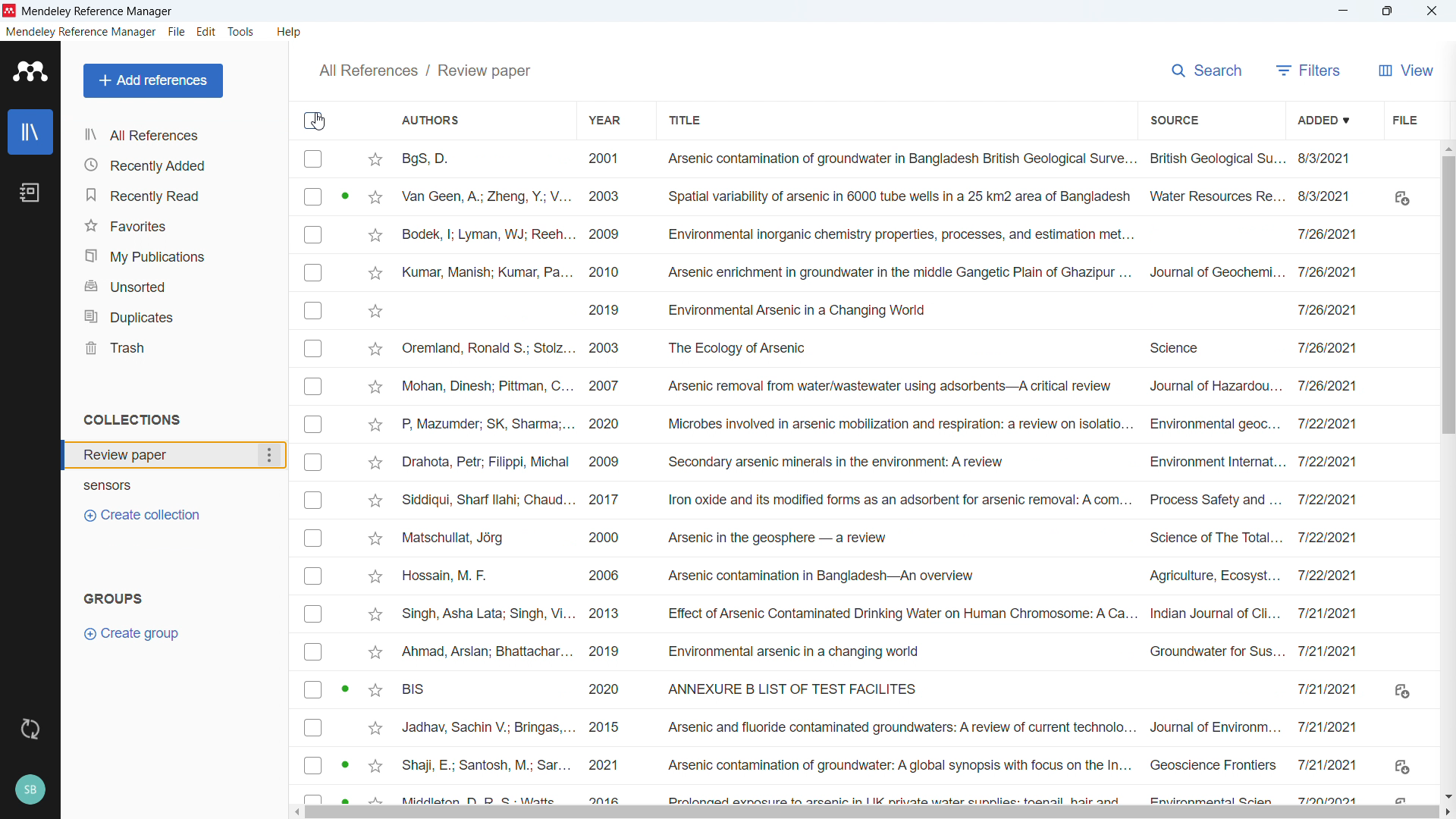 The width and height of the screenshot is (1456, 819). I want to click on Rezaei, Janali; Bouteh, Eh... 2020 Evaluation of membrane bioreactor-hollow fiber (MBR-HF) pilot performance i... Journal of Environm... 10/22/2024, so click(883, 613).